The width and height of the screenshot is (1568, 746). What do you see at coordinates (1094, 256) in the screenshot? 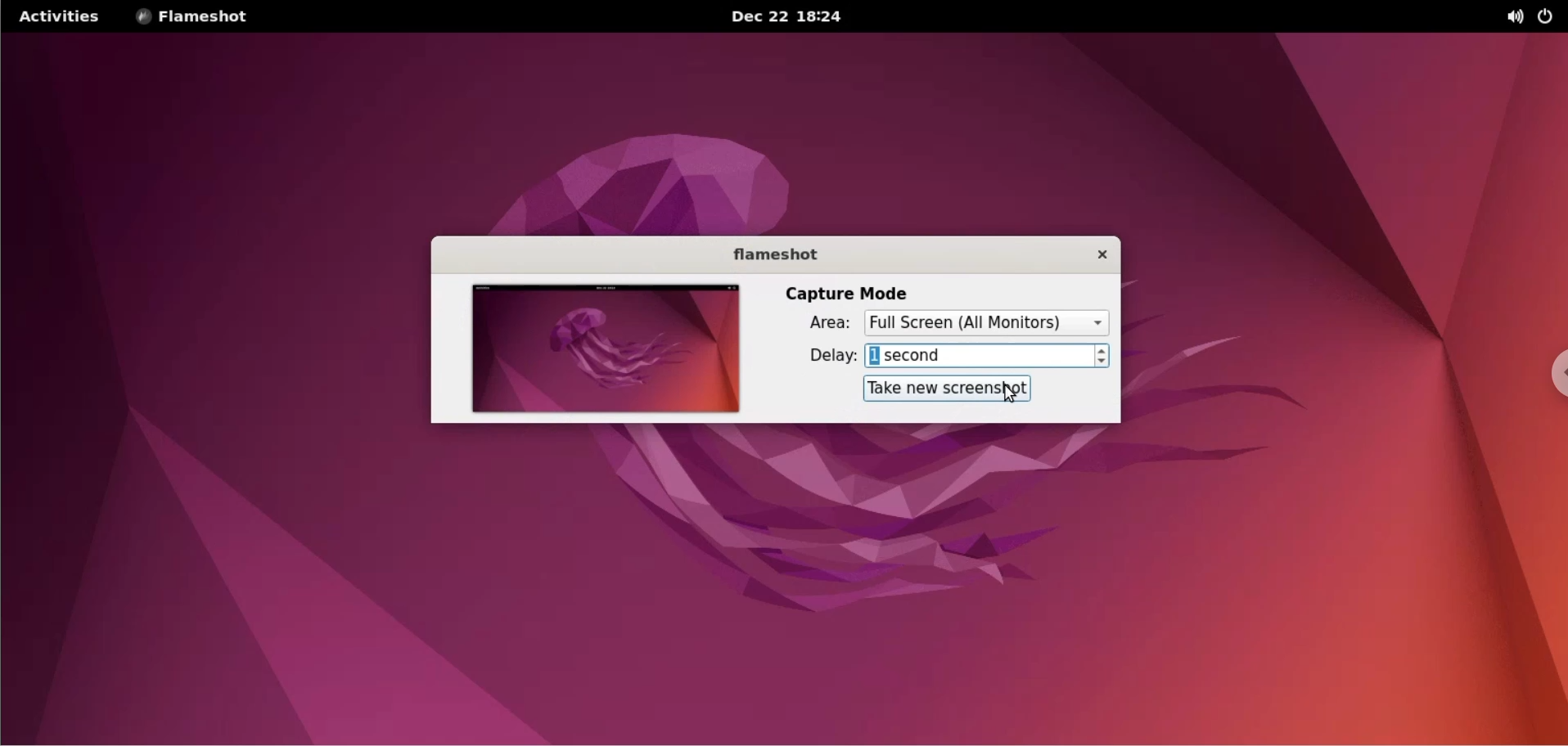
I see `close ` at bounding box center [1094, 256].